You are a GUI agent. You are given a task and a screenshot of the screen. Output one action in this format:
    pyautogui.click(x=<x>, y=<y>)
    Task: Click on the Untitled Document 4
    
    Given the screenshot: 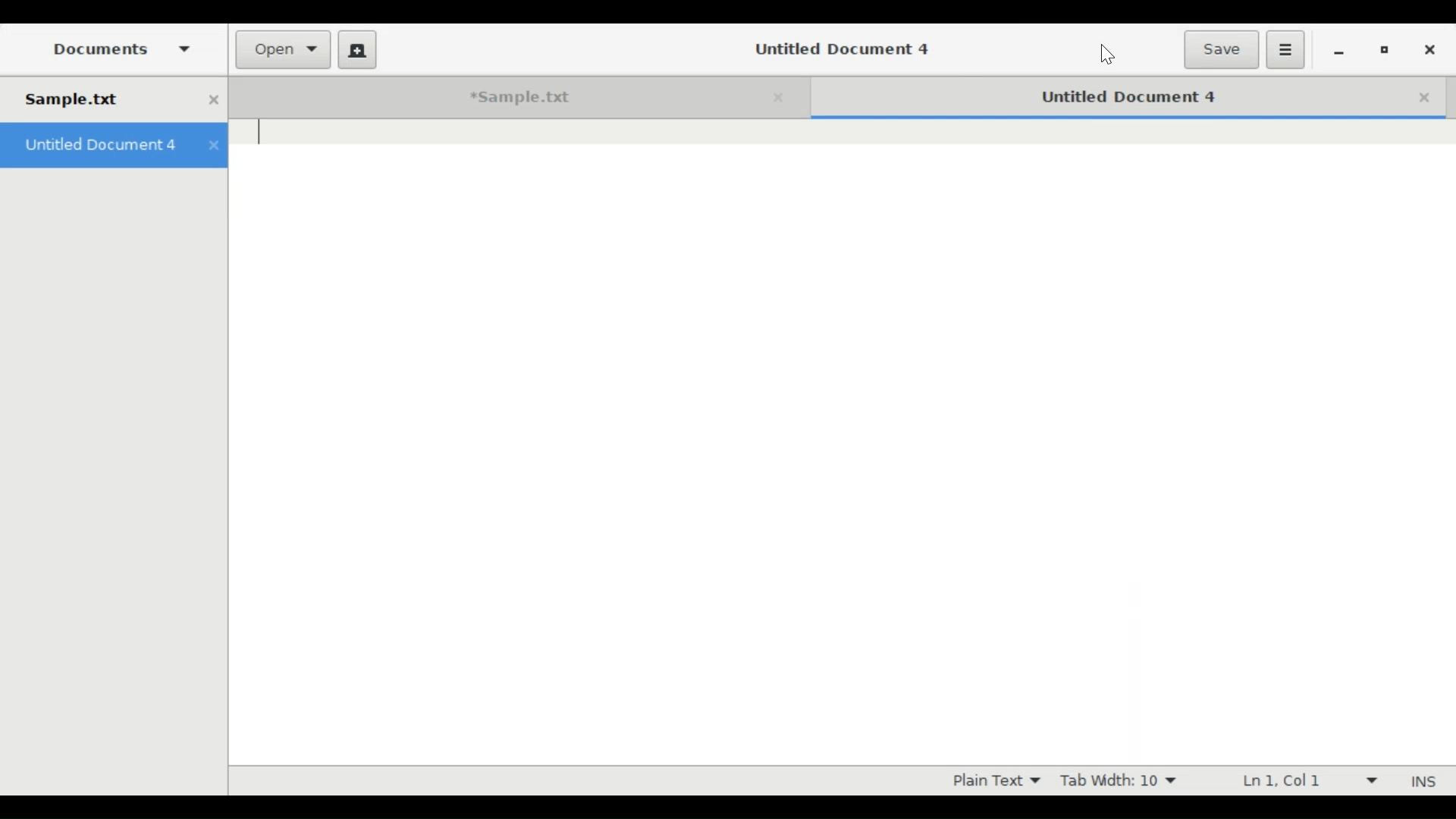 What is the action you would take?
    pyautogui.click(x=836, y=47)
    